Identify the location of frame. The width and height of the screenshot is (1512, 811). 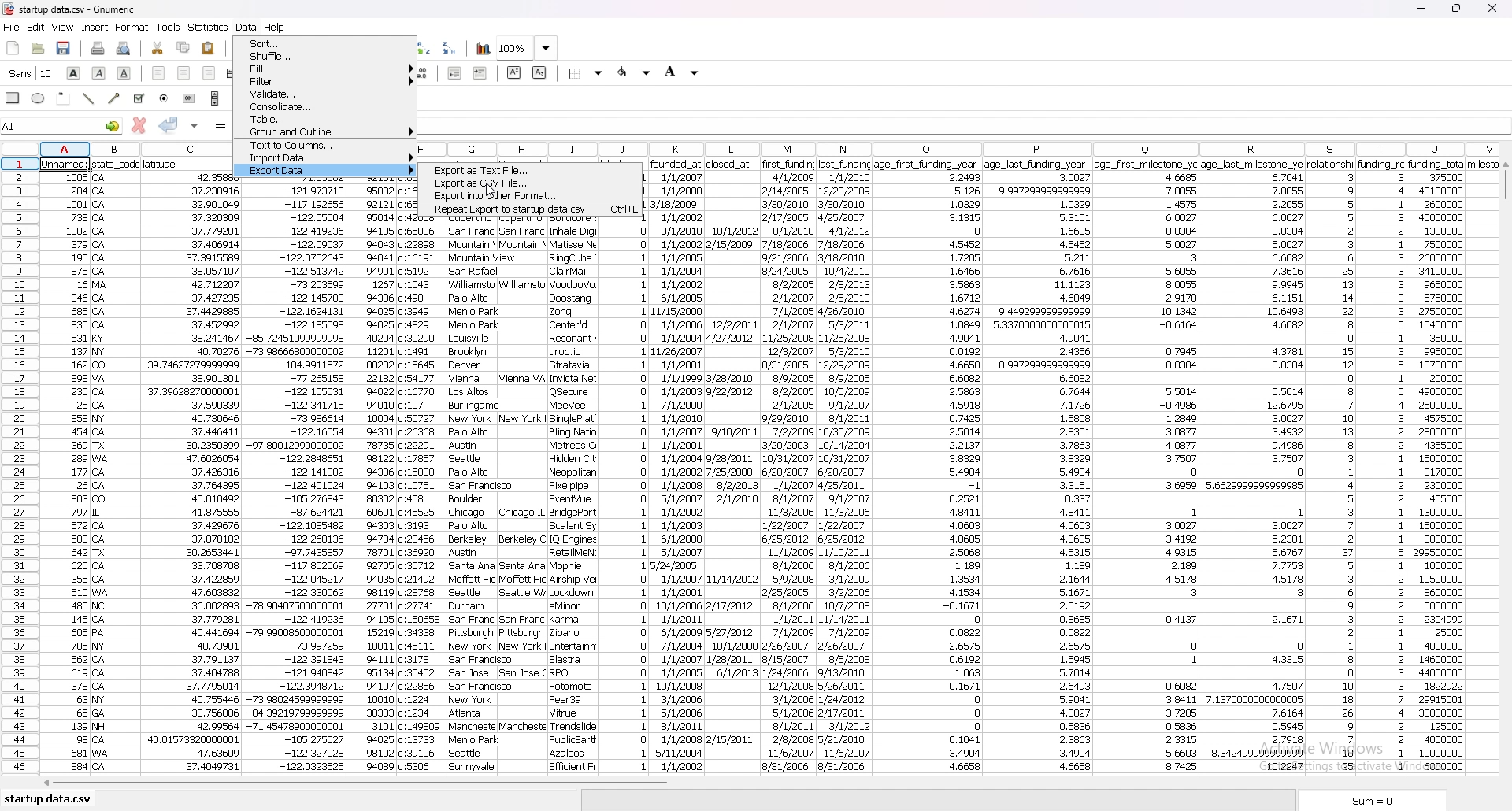
(65, 98).